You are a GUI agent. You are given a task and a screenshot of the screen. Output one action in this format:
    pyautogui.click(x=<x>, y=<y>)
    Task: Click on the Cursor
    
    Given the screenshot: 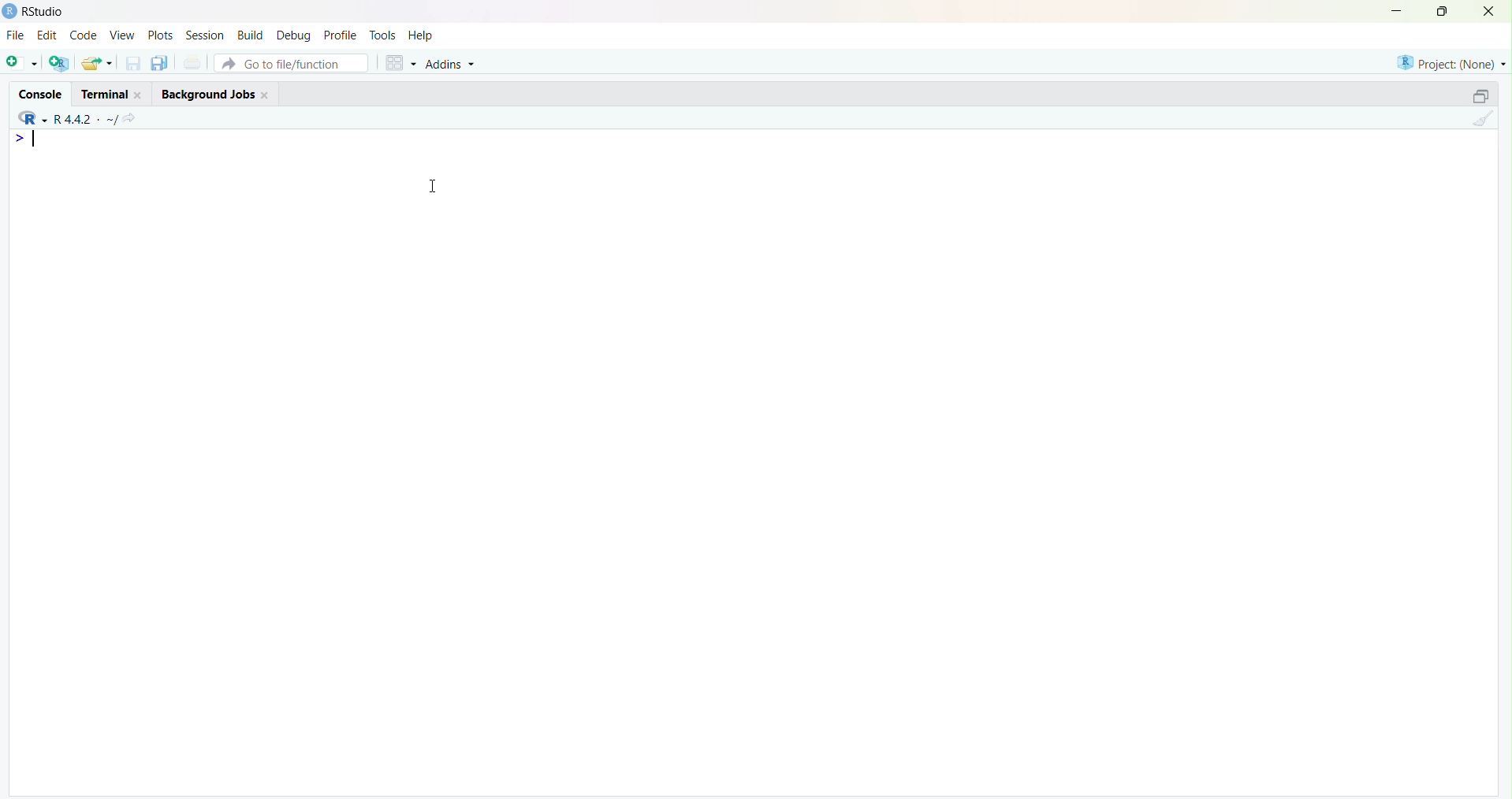 What is the action you would take?
    pyautogui.click(x=440, y=186)
    